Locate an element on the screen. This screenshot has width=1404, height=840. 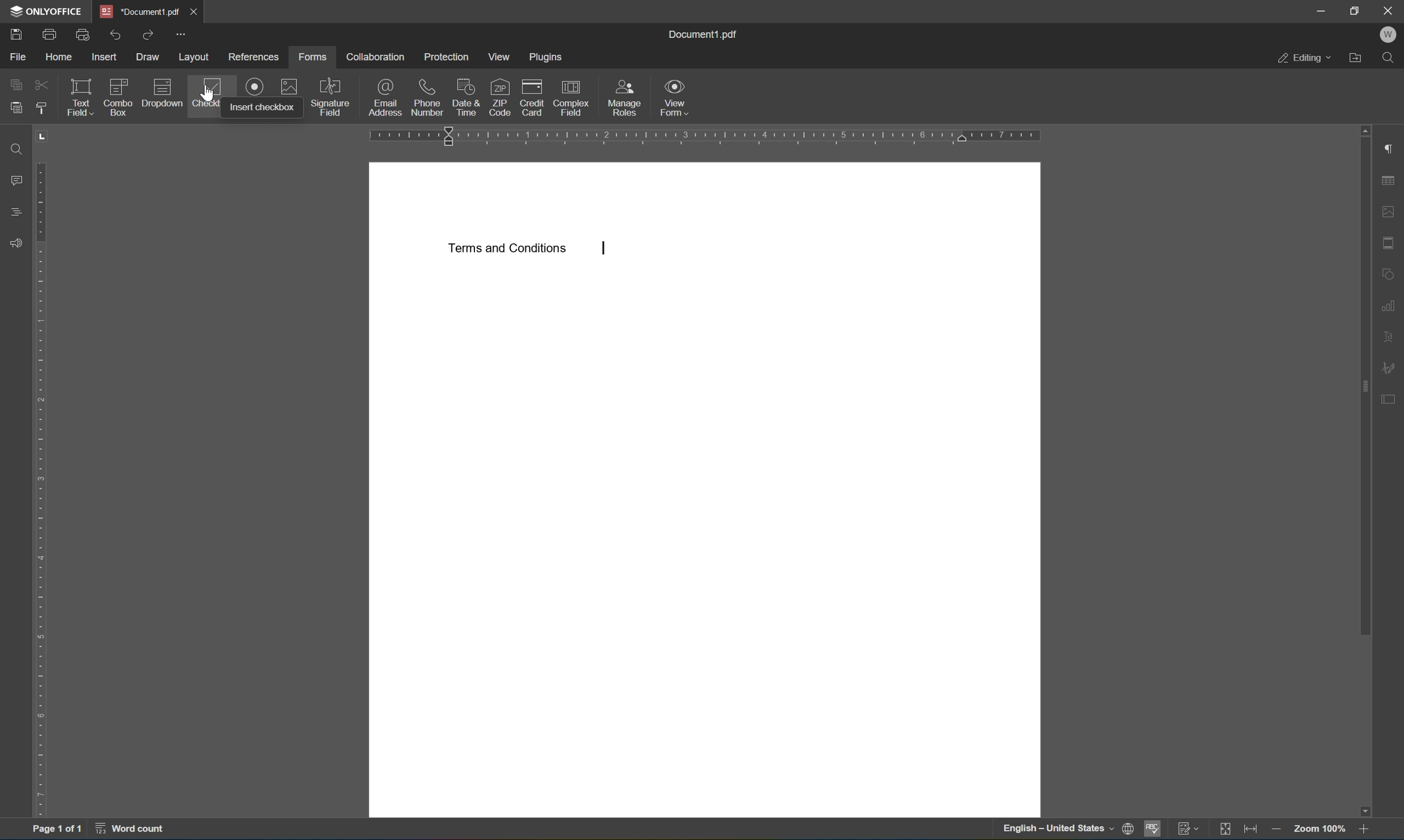
combo box is located at coordinates (118, 97).